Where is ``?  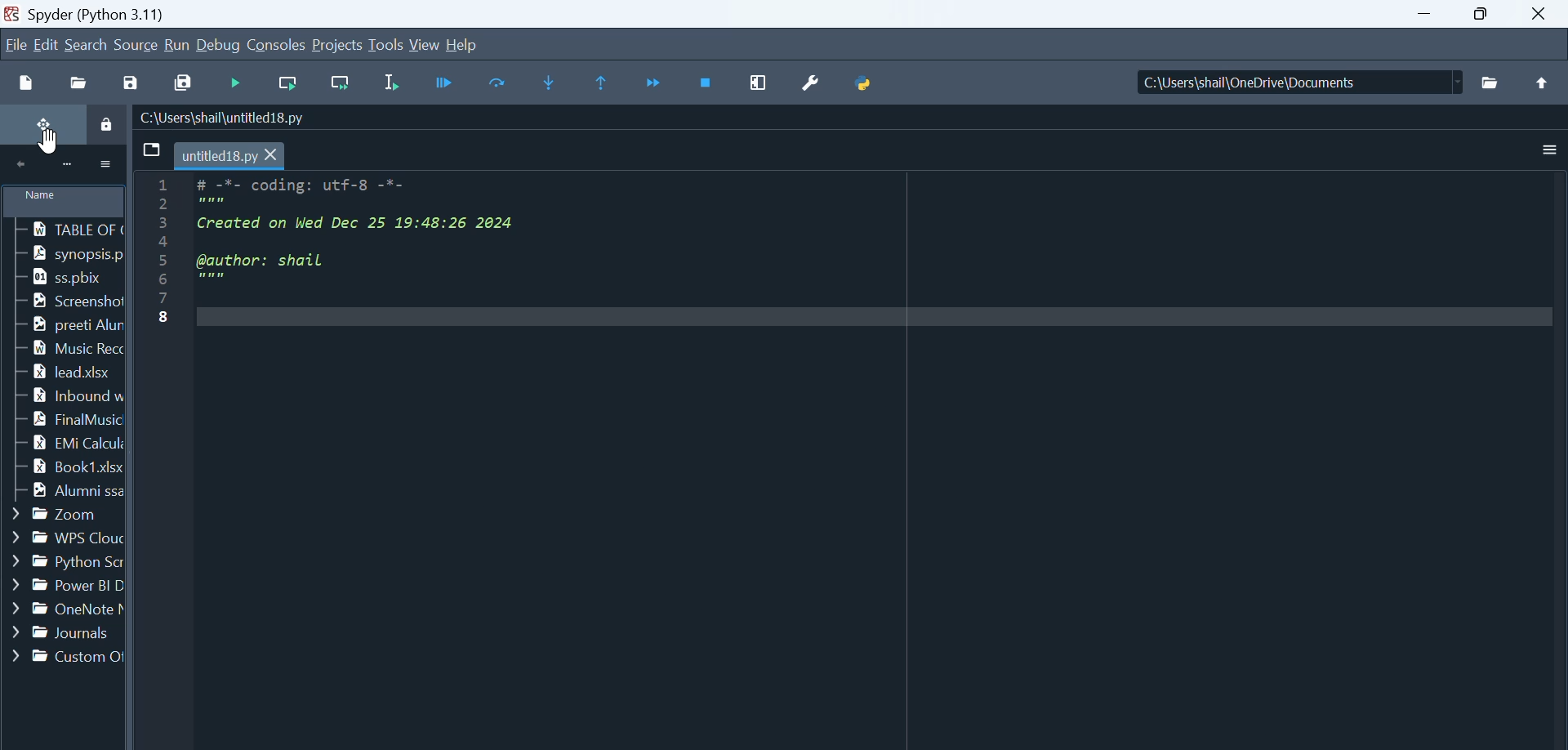  is located at coordinates (177, 46).